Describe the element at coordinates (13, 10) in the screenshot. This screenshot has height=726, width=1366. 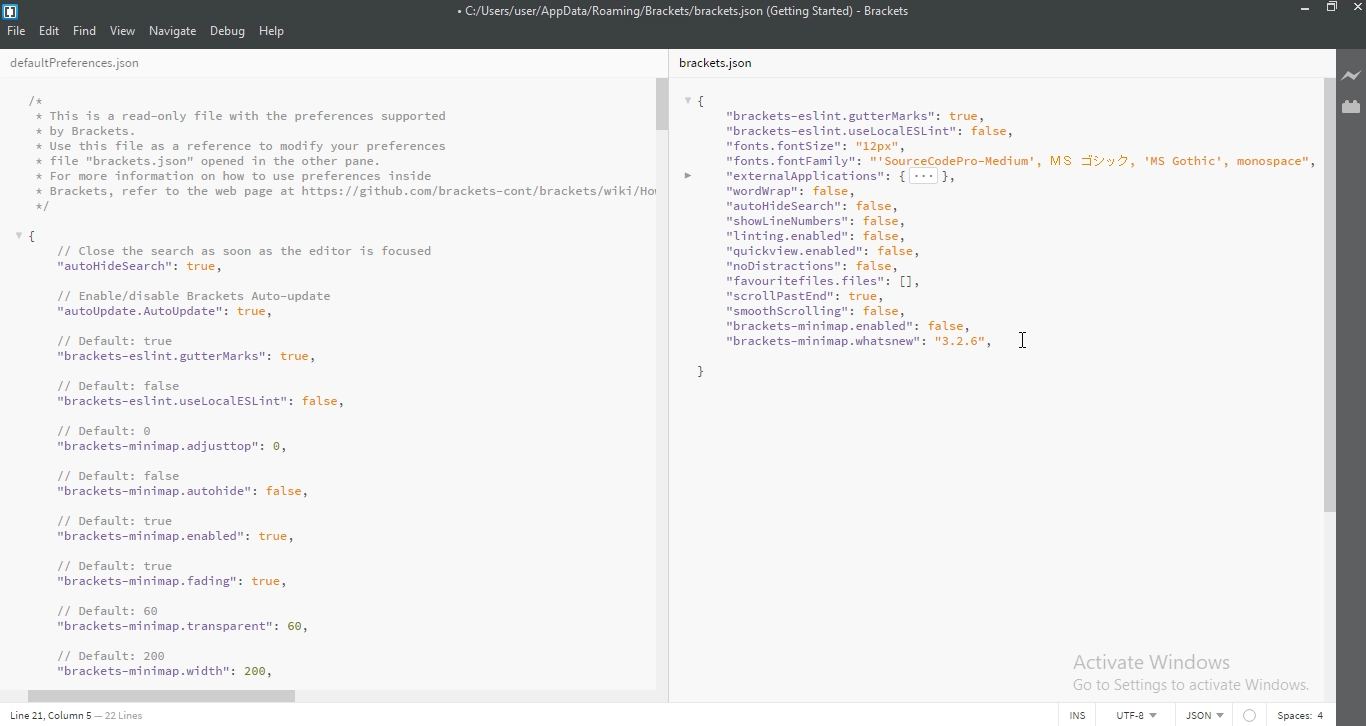
I see `Logo` at that location.